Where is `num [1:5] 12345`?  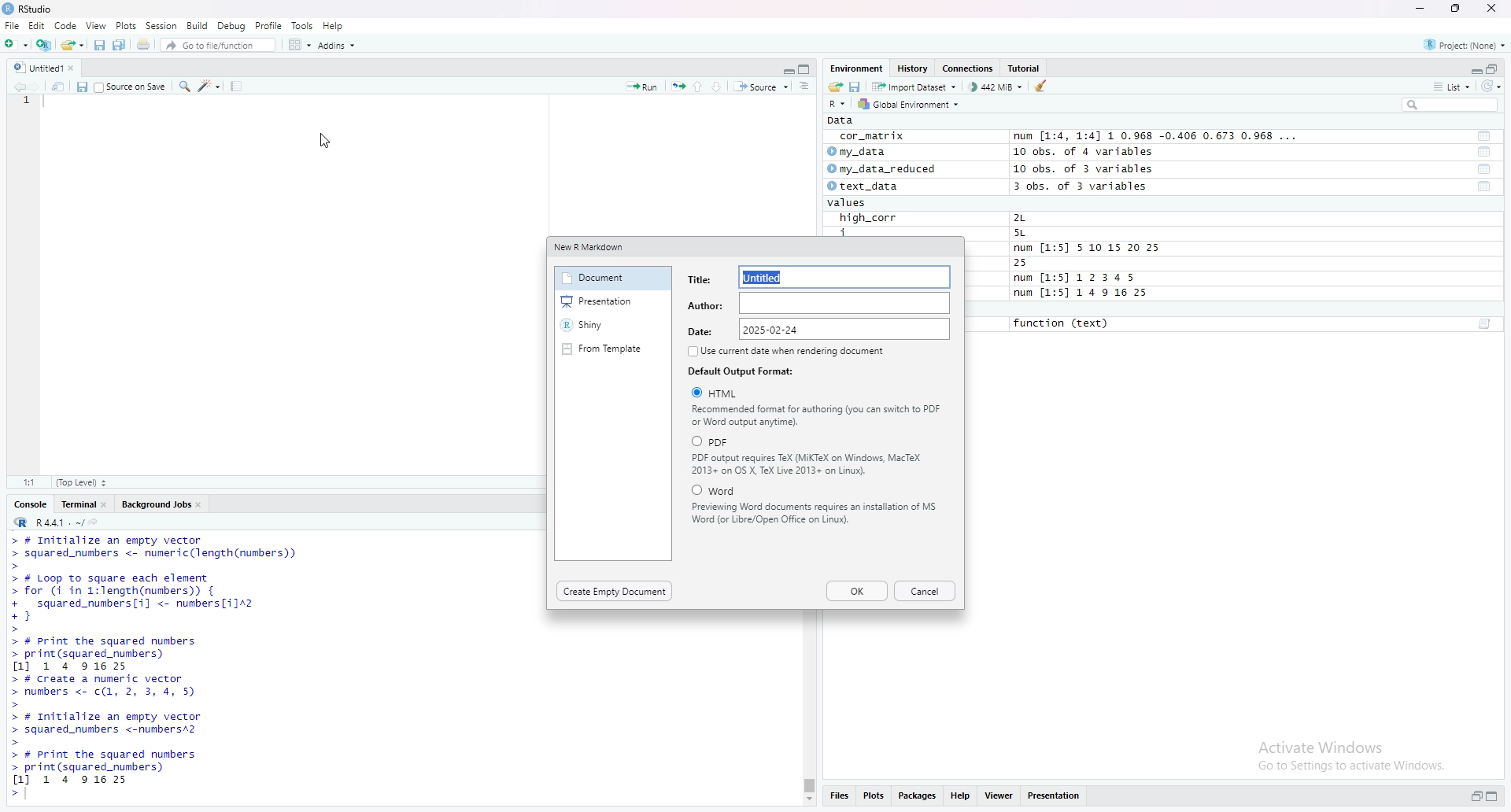 num [1:5] 12345 is located at coordinates (1077, 278).